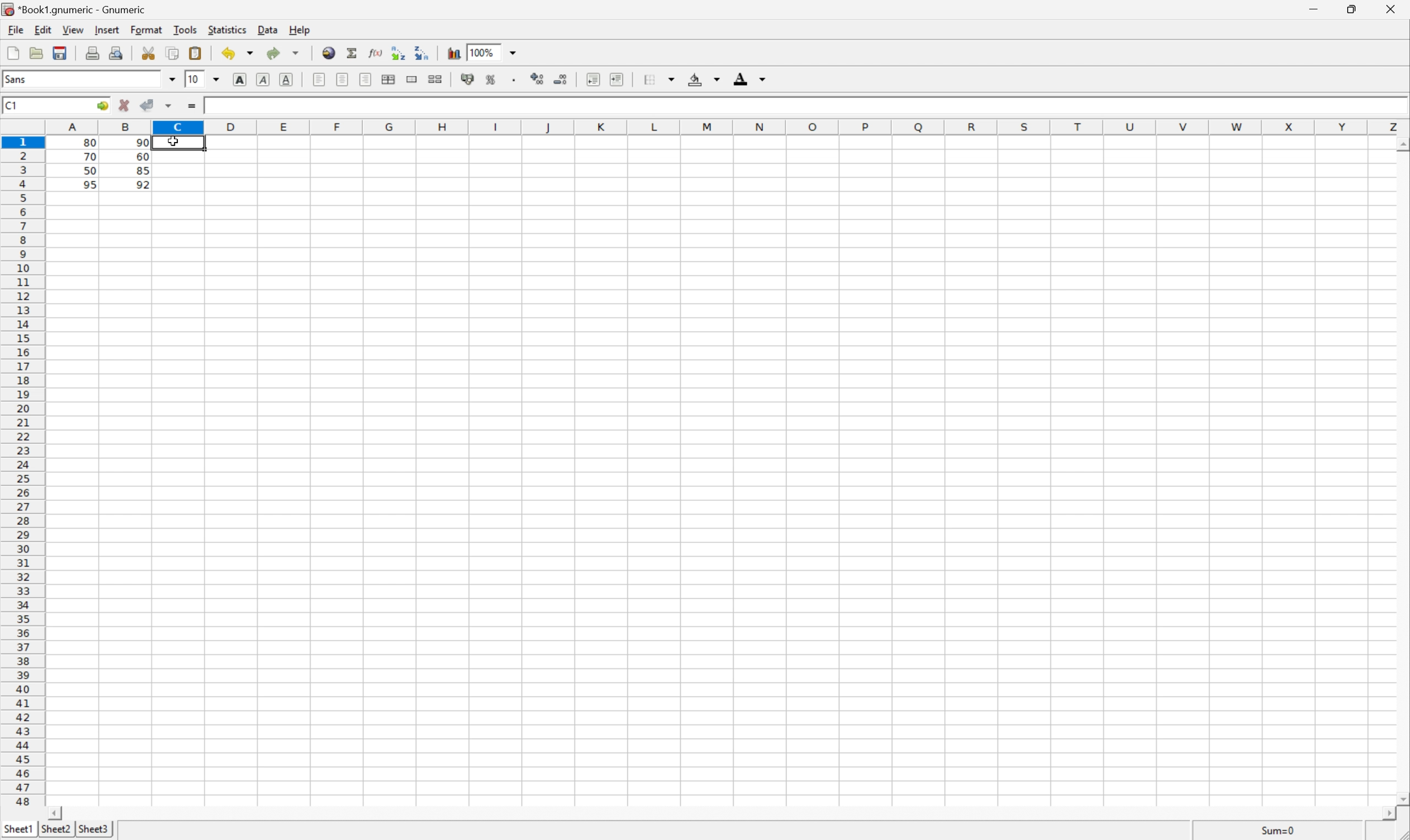 Image resolution: width=1410 pixels, height=840 pixels. I want to click on Sum into the current cell, so click(352, 52).